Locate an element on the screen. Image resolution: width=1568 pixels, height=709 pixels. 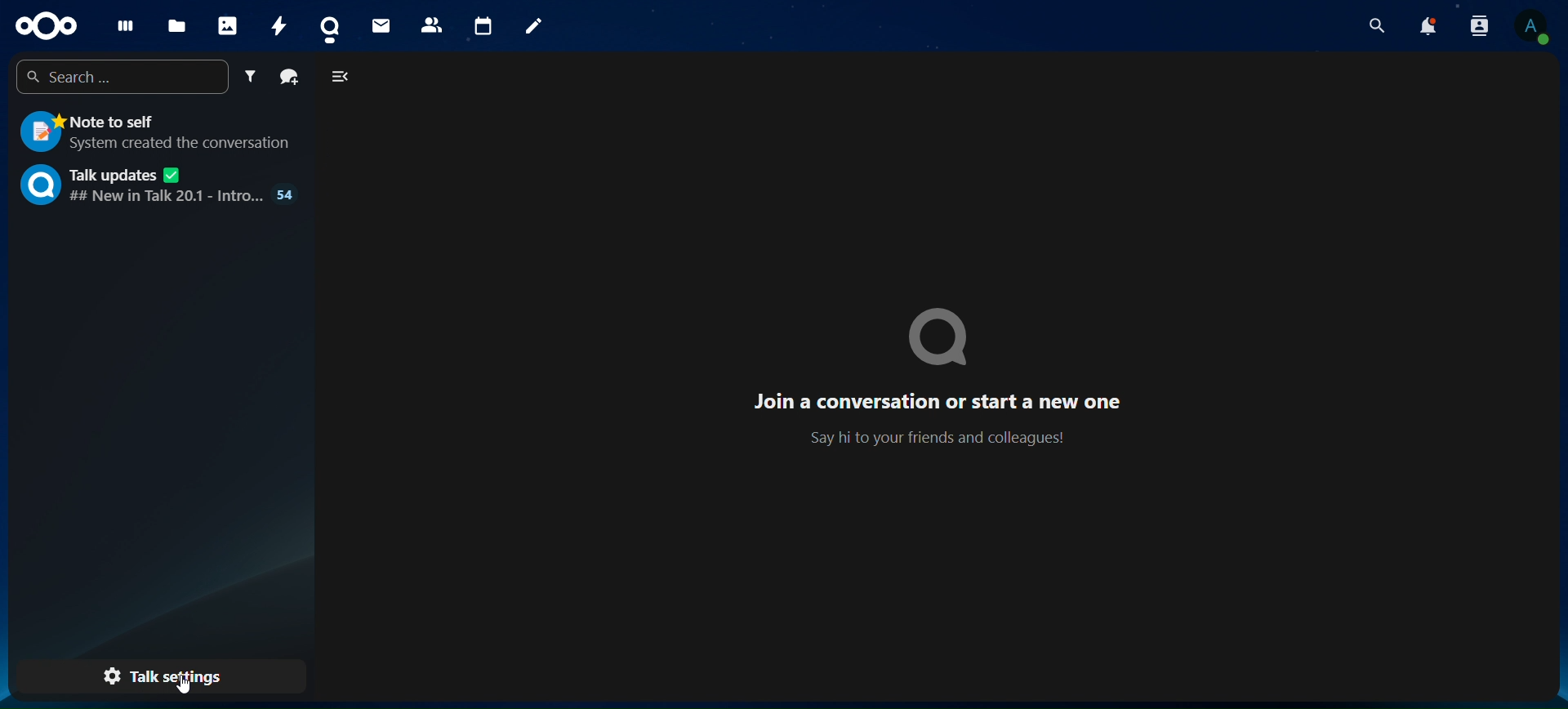
photos is located at coordinates (229, 25).